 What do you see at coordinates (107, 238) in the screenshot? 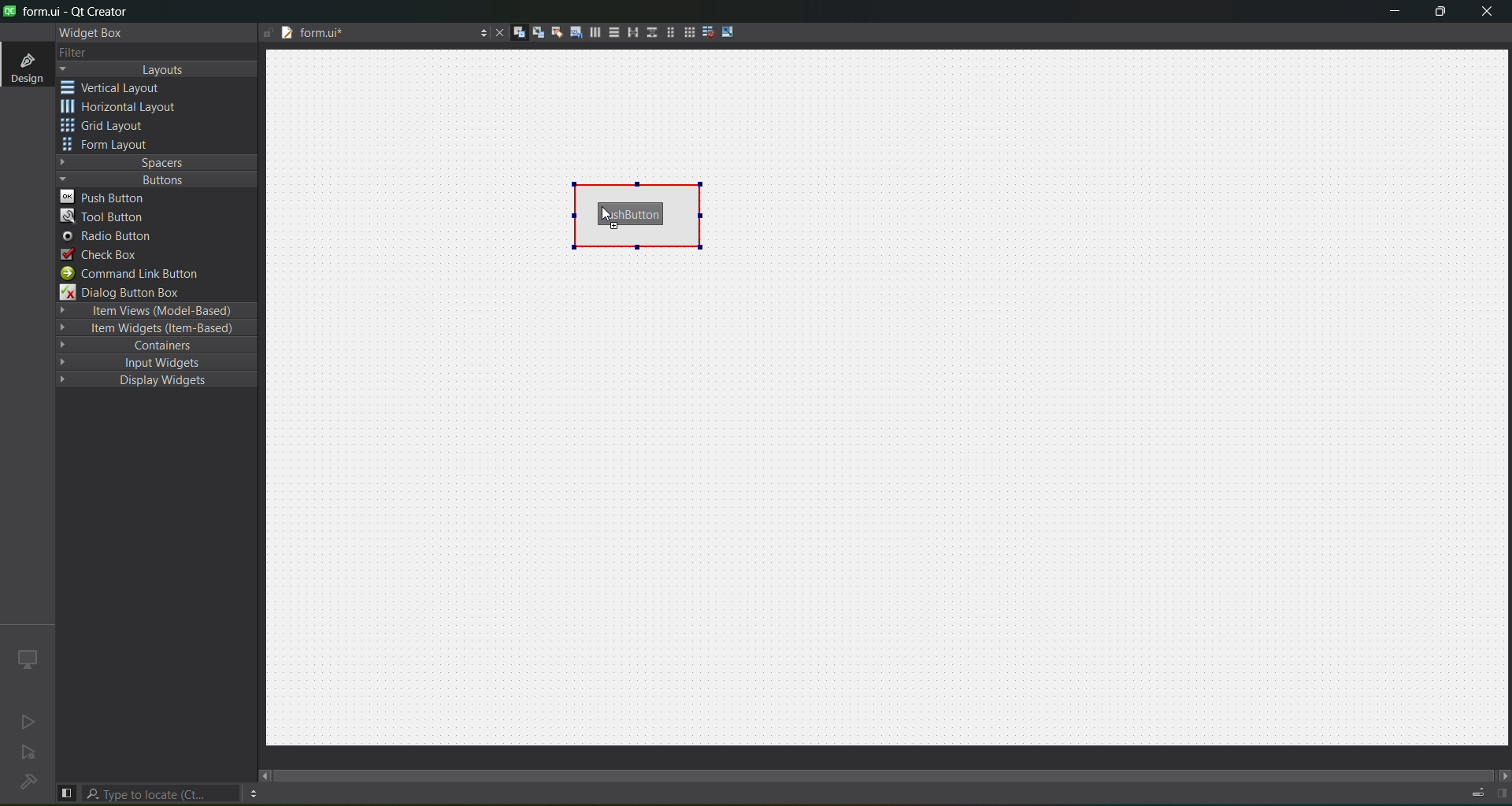
I see `radio button` at bounding box center [107, 238].